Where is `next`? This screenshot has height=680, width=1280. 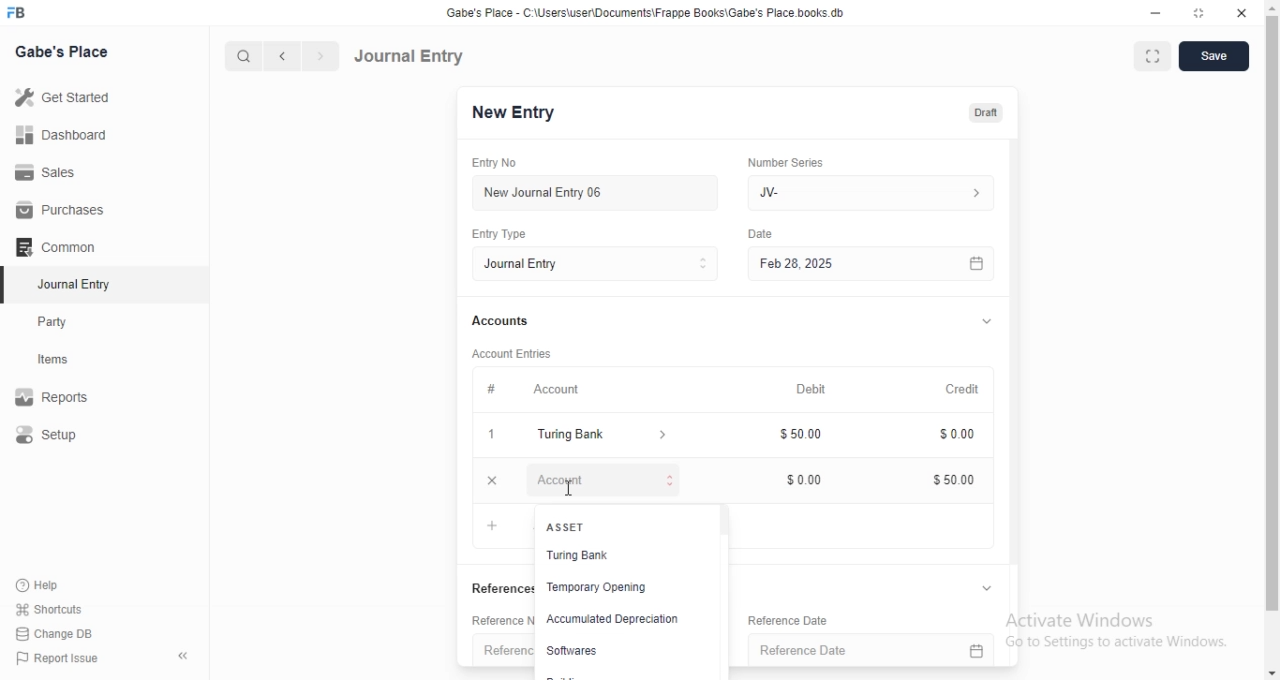 next is located at coordinates (318, 57).